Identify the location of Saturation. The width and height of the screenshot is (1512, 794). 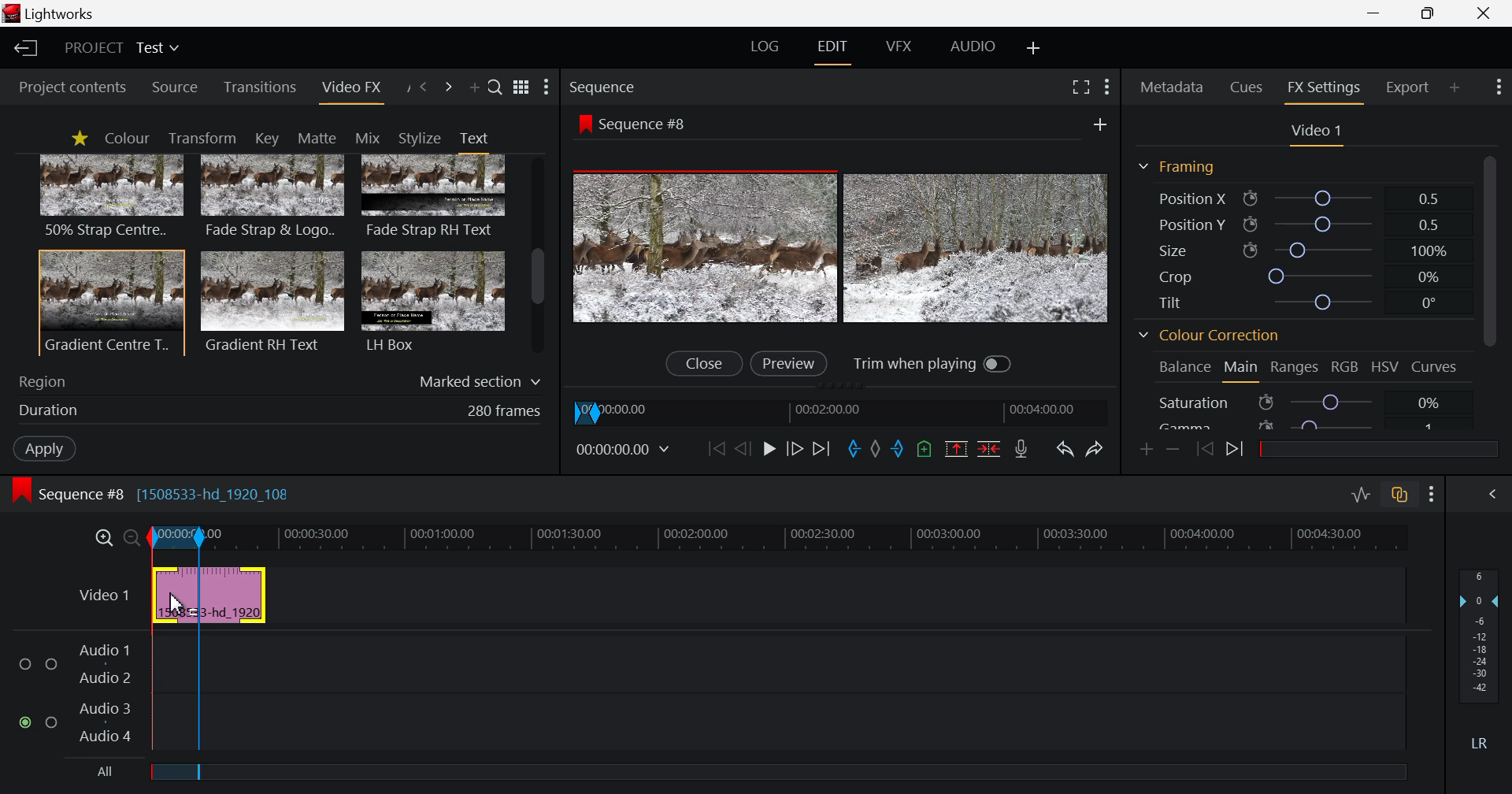
(1298, 402).